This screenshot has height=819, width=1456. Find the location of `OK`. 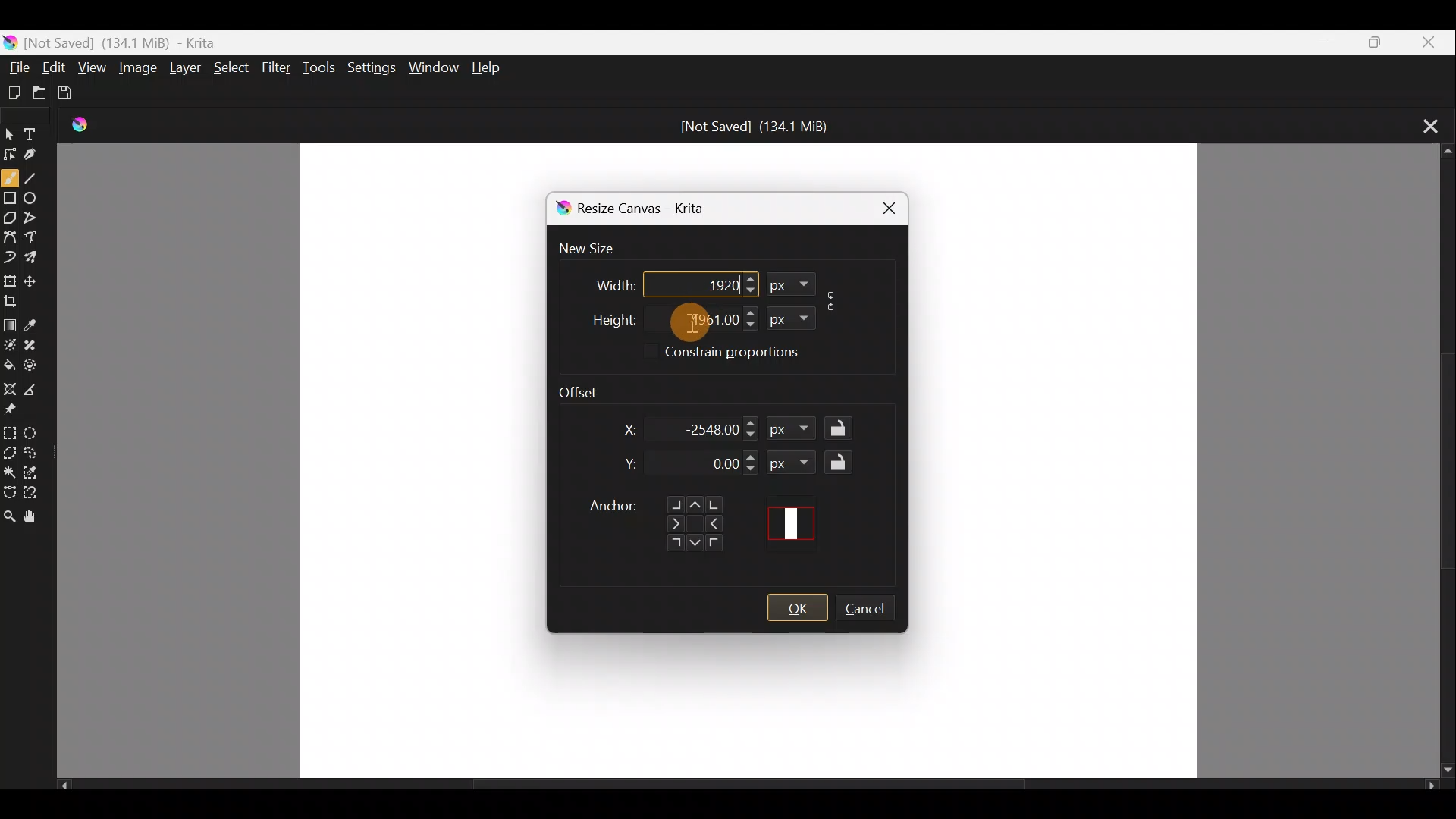

OK is located at coordinates (797, 608).